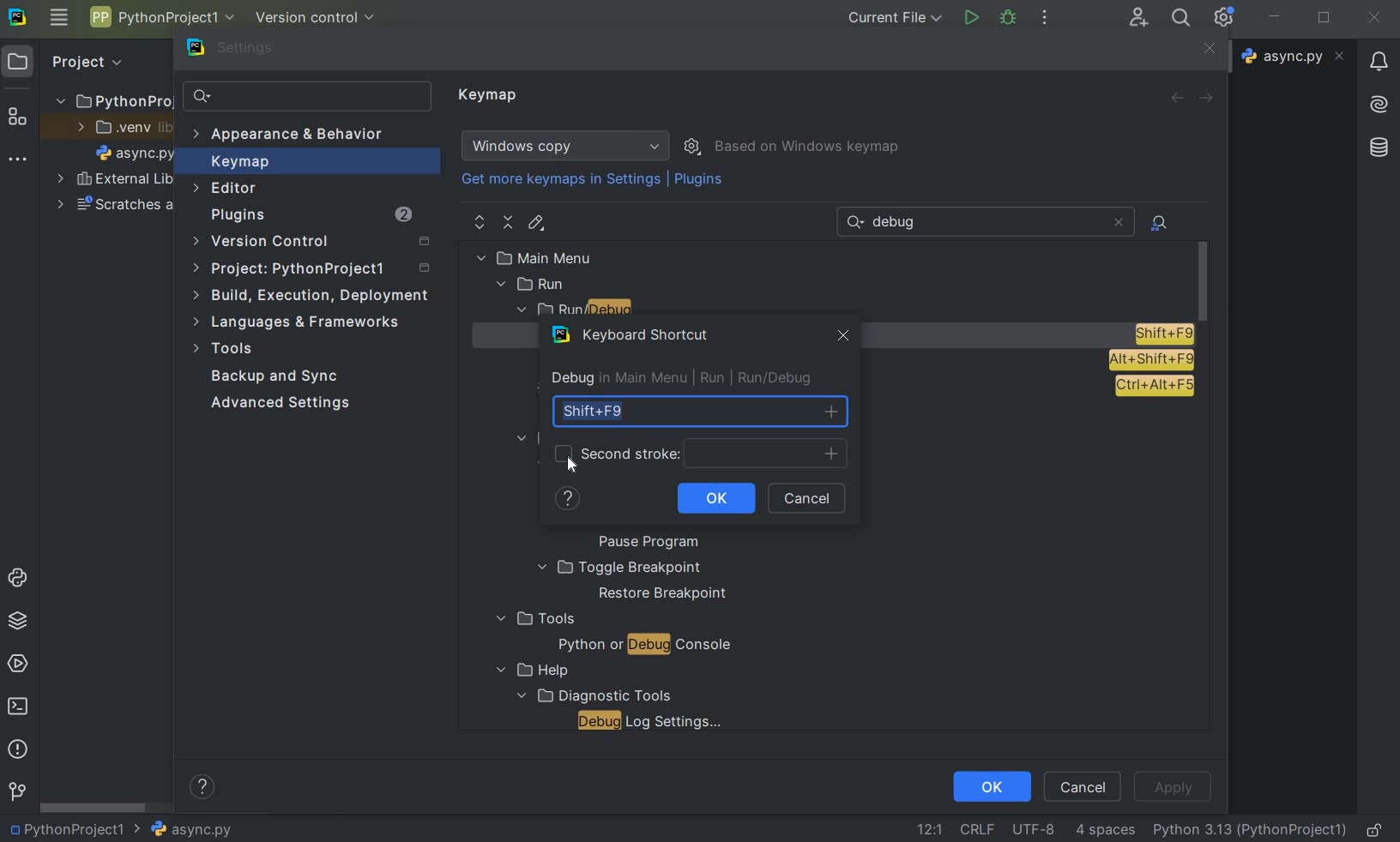 This screenshot has width=1400, height=842. I want to click on close, so click(1207, 50).